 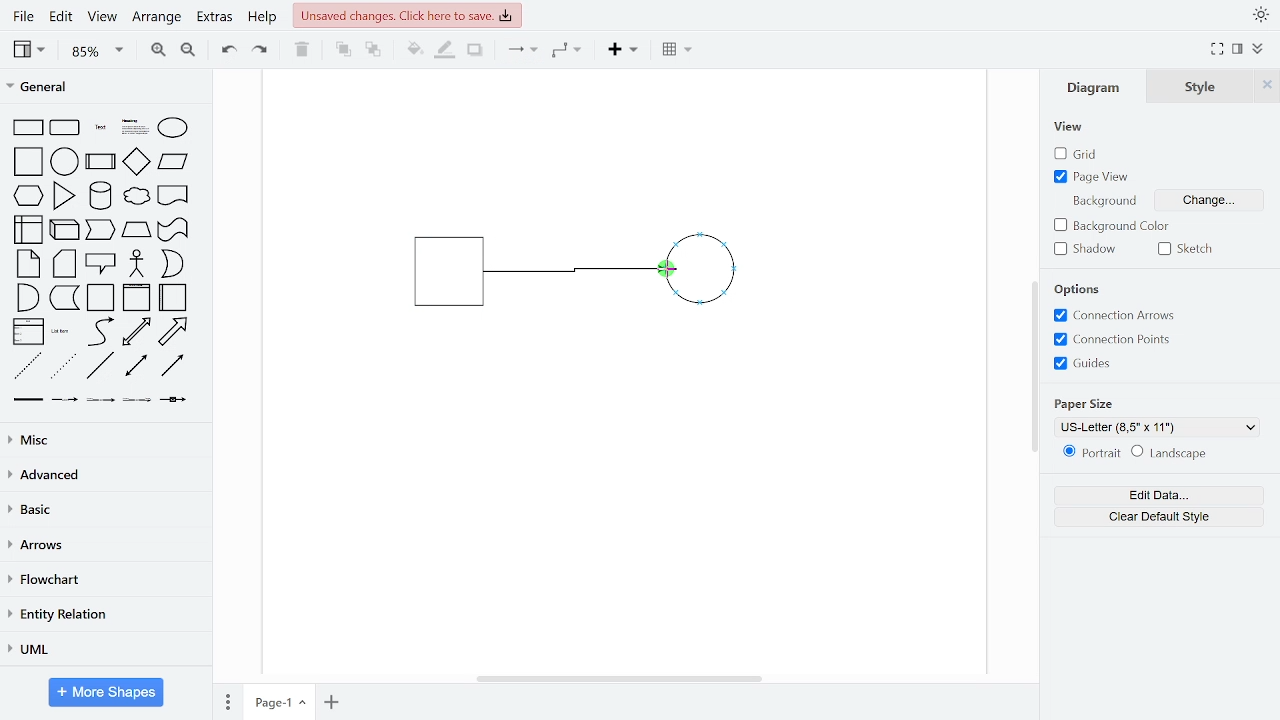 I want to click on connector with symbol, so click(x=176, y=398).